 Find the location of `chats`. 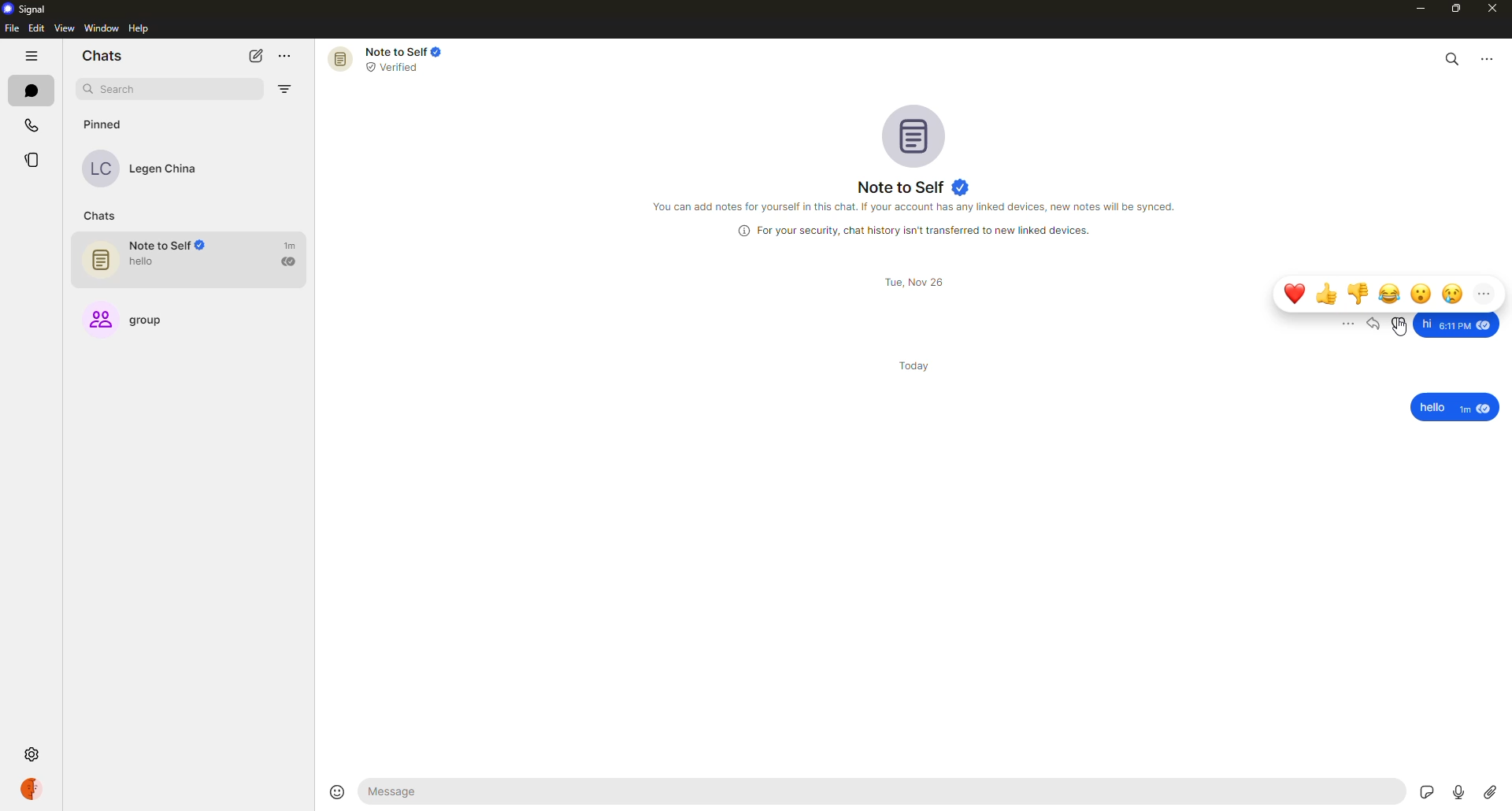

chats is located at coordinates (31, 90).